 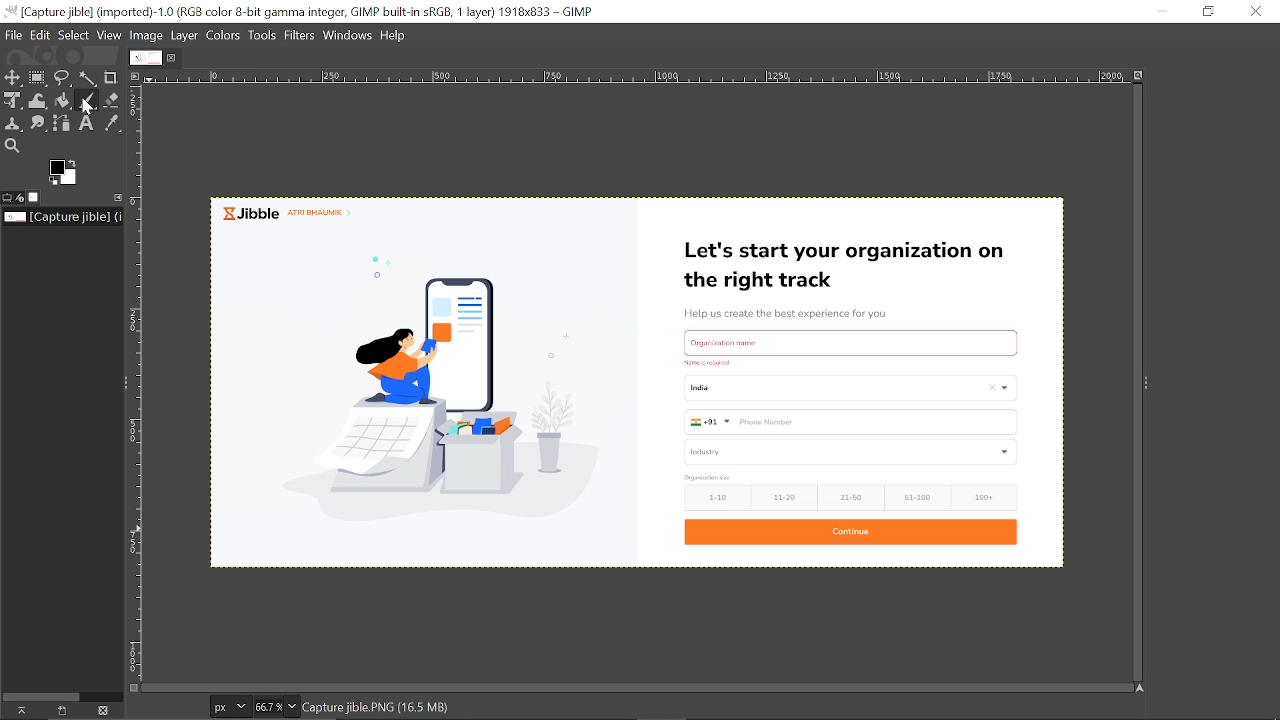 What do you see at coordinates (64, 79) in the screenshot?
I see `Free select ttol` at bounding box center [64, 79].